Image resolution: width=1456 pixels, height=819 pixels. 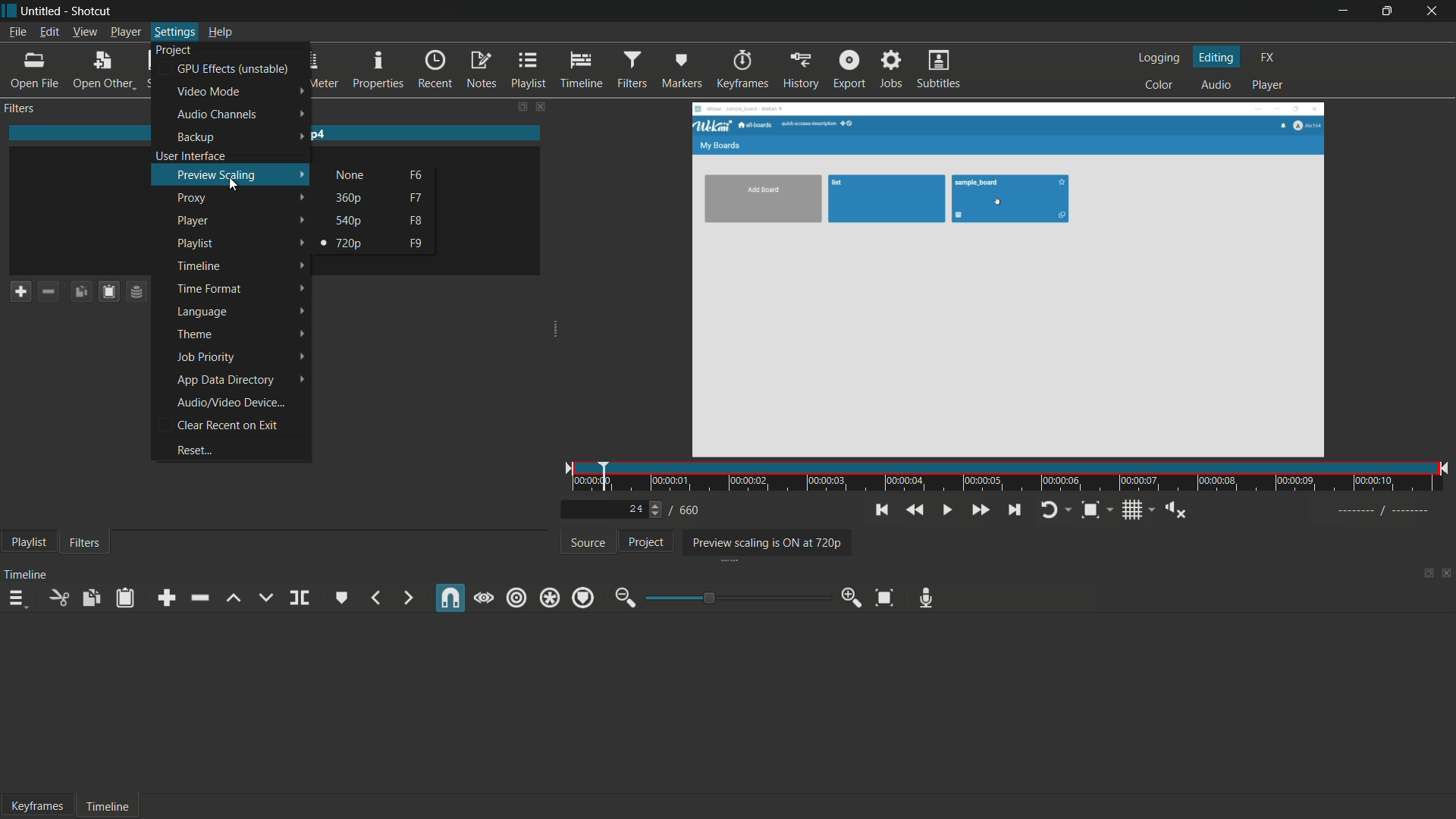 What do you see at coordinates (582, 70) in the screenshot?
I see `timeline` at bounding box center [582, 70].